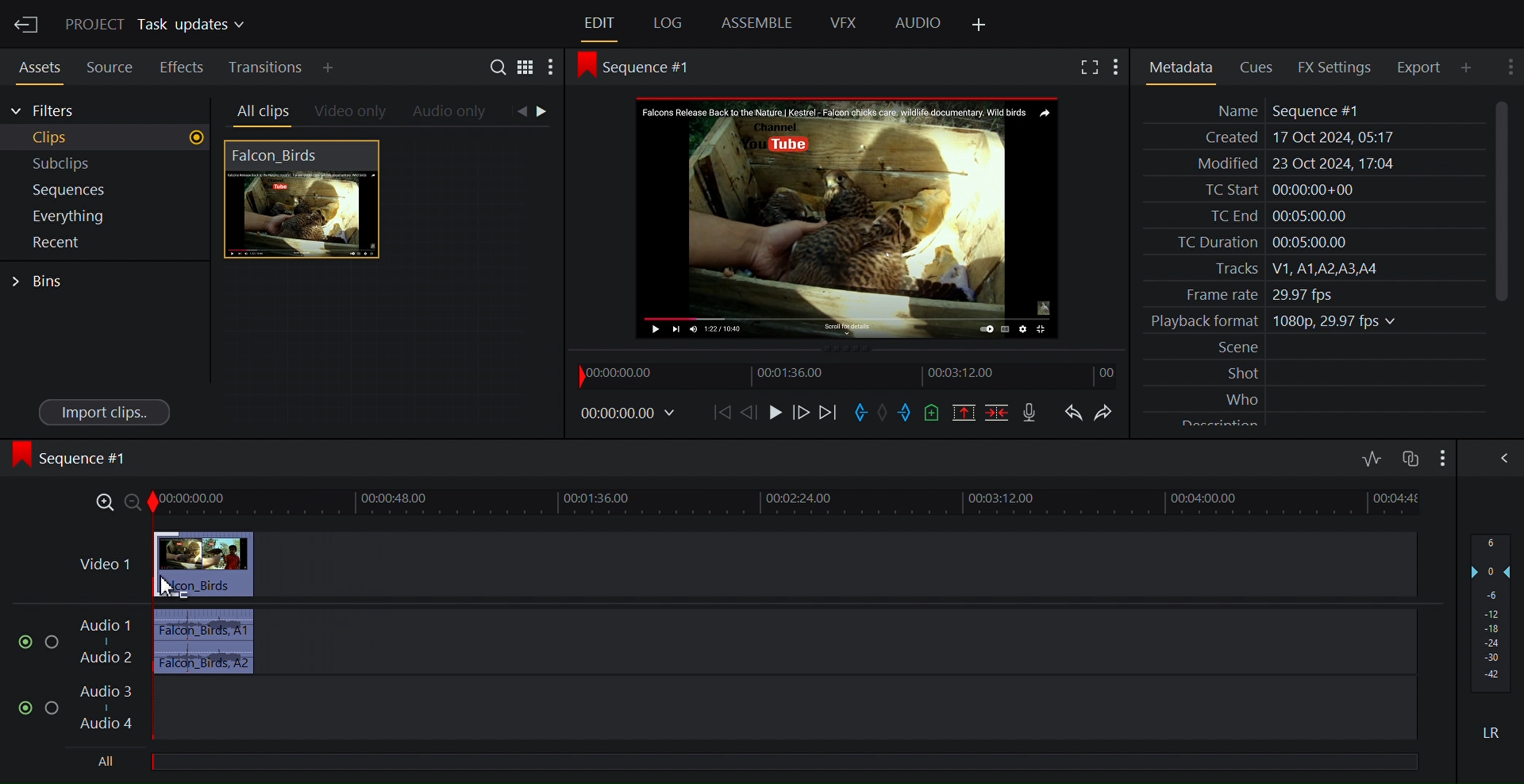  What do you see at coordinates (1502, 200) in the screenshot?
I see `Vertical Scroll bar` at bounding box center [1502, 200].